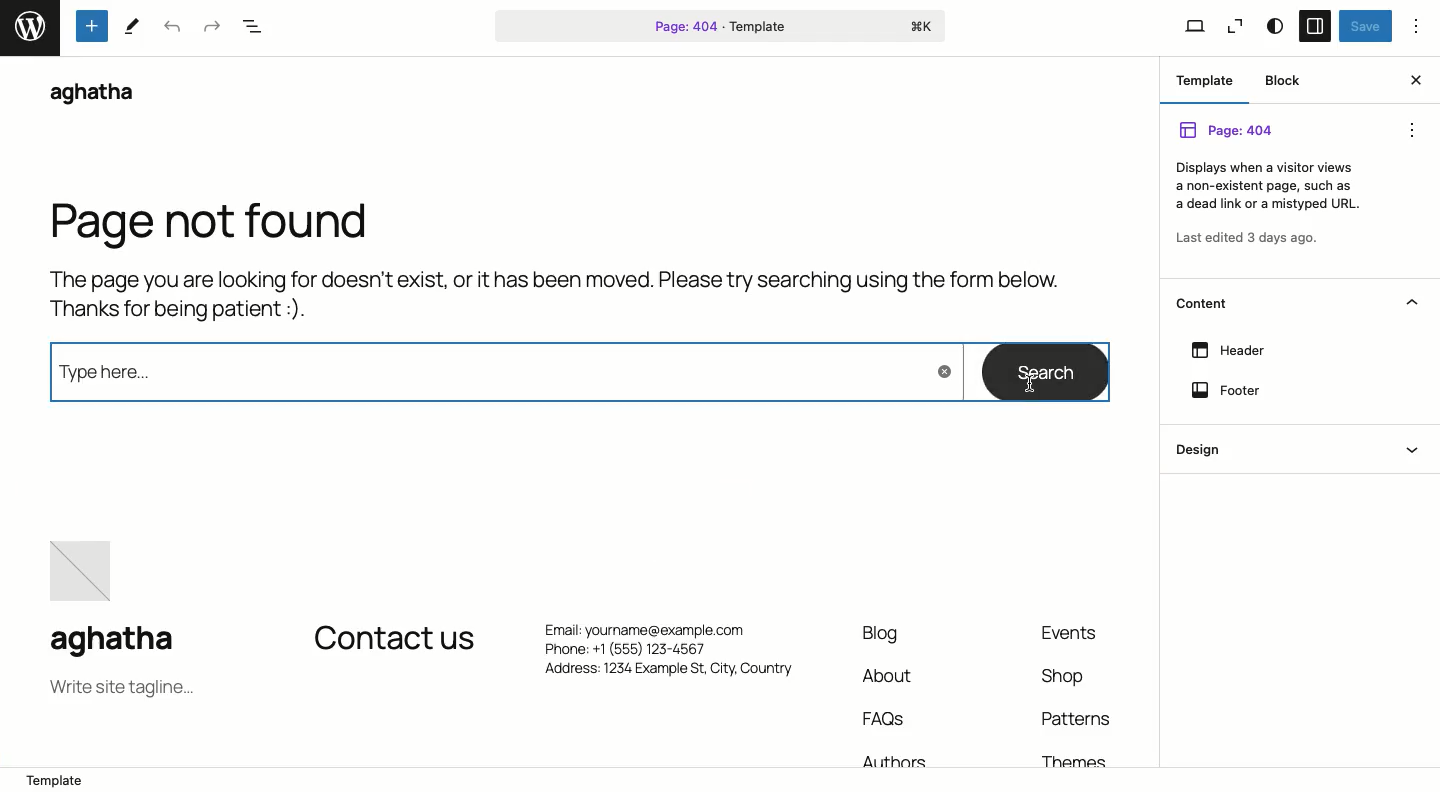 The height and width of the screenshot is (792, 1440). Describe the element at coordinates (1422, 27) in the screenshot. I see `Options` at that location.